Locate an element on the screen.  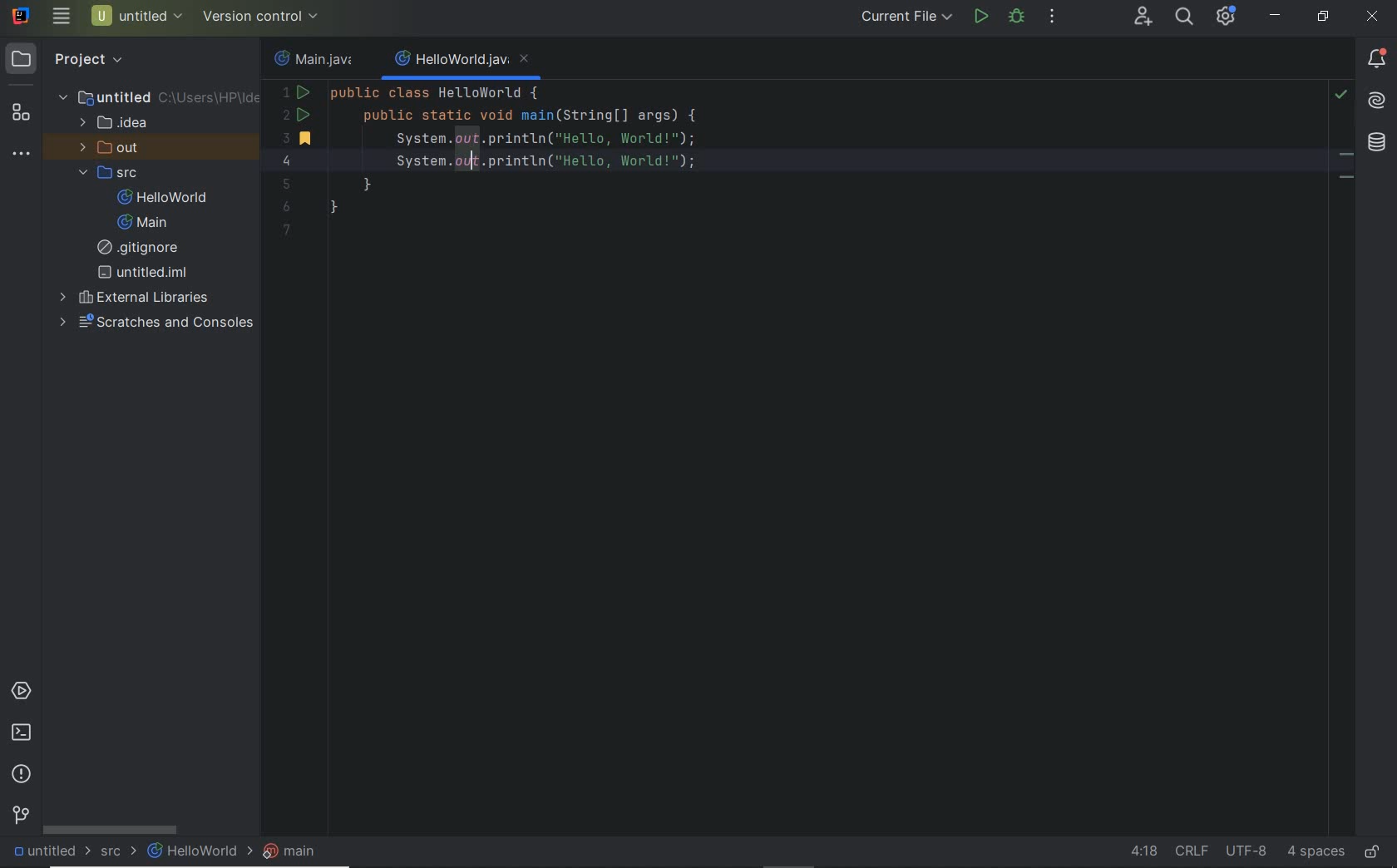
more actions is located at coordinates (1053, 17).